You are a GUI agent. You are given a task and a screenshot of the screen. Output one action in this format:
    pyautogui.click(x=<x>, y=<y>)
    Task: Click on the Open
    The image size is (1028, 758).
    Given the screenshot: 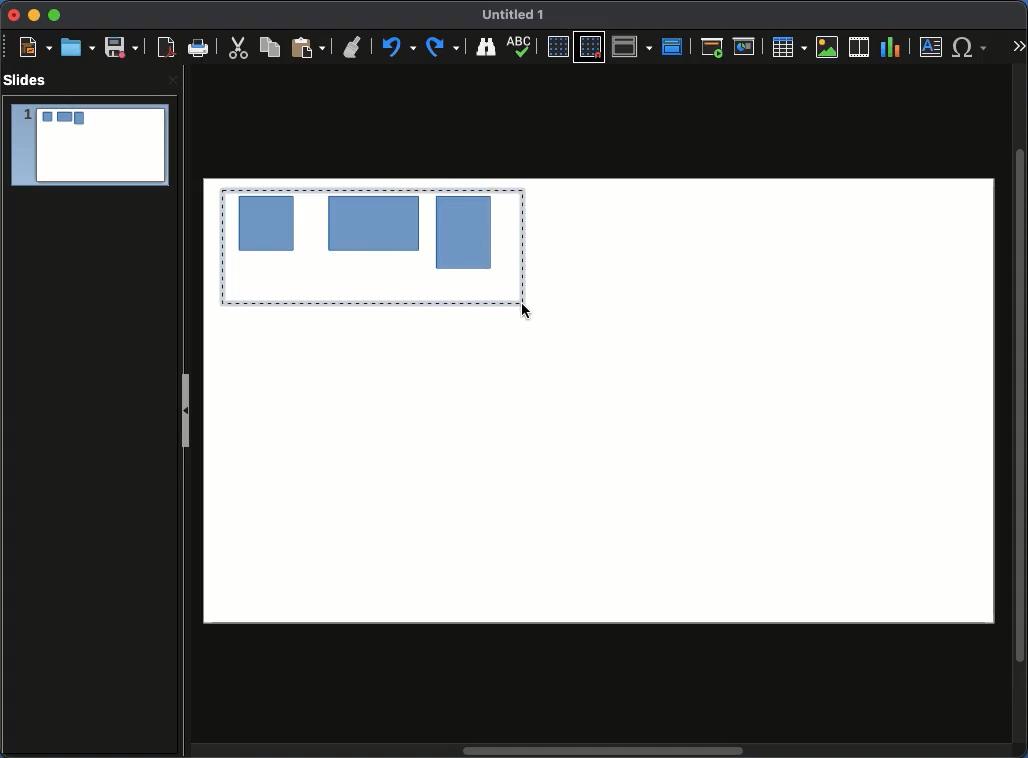 What is the action you would take?
    pyautogui.click(x=76, y=47)
    